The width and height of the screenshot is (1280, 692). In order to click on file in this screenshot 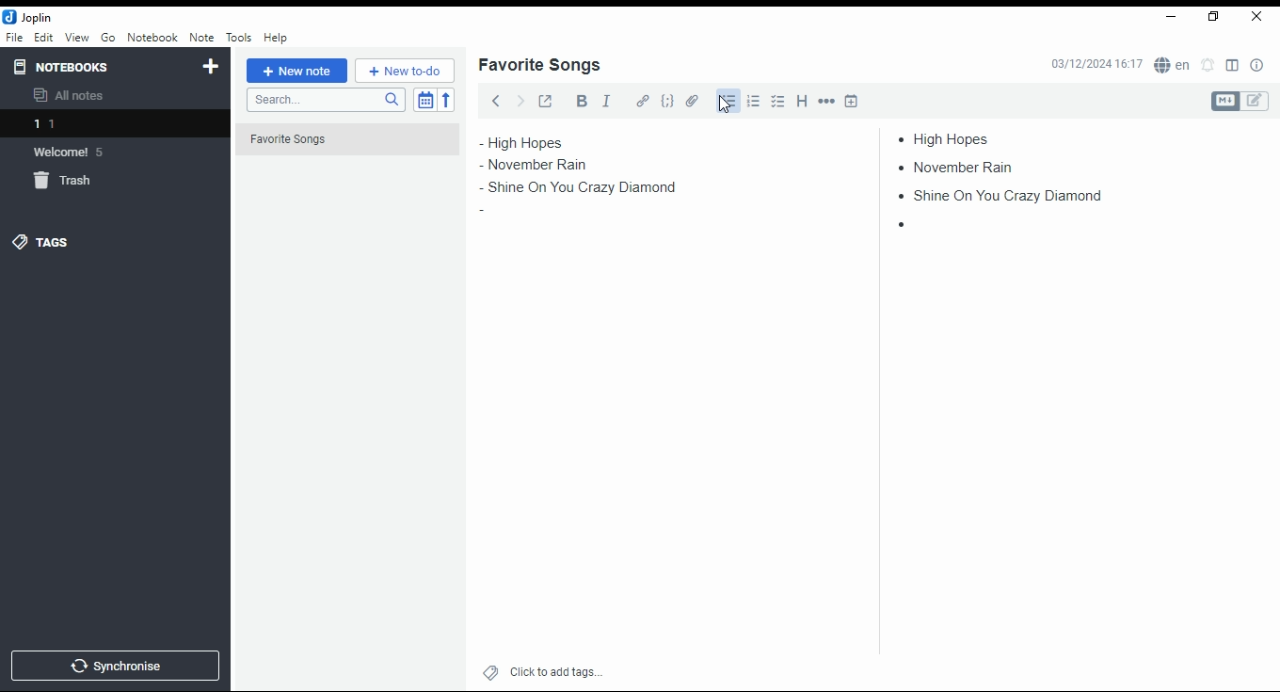, I will do `click(14, 36)`.